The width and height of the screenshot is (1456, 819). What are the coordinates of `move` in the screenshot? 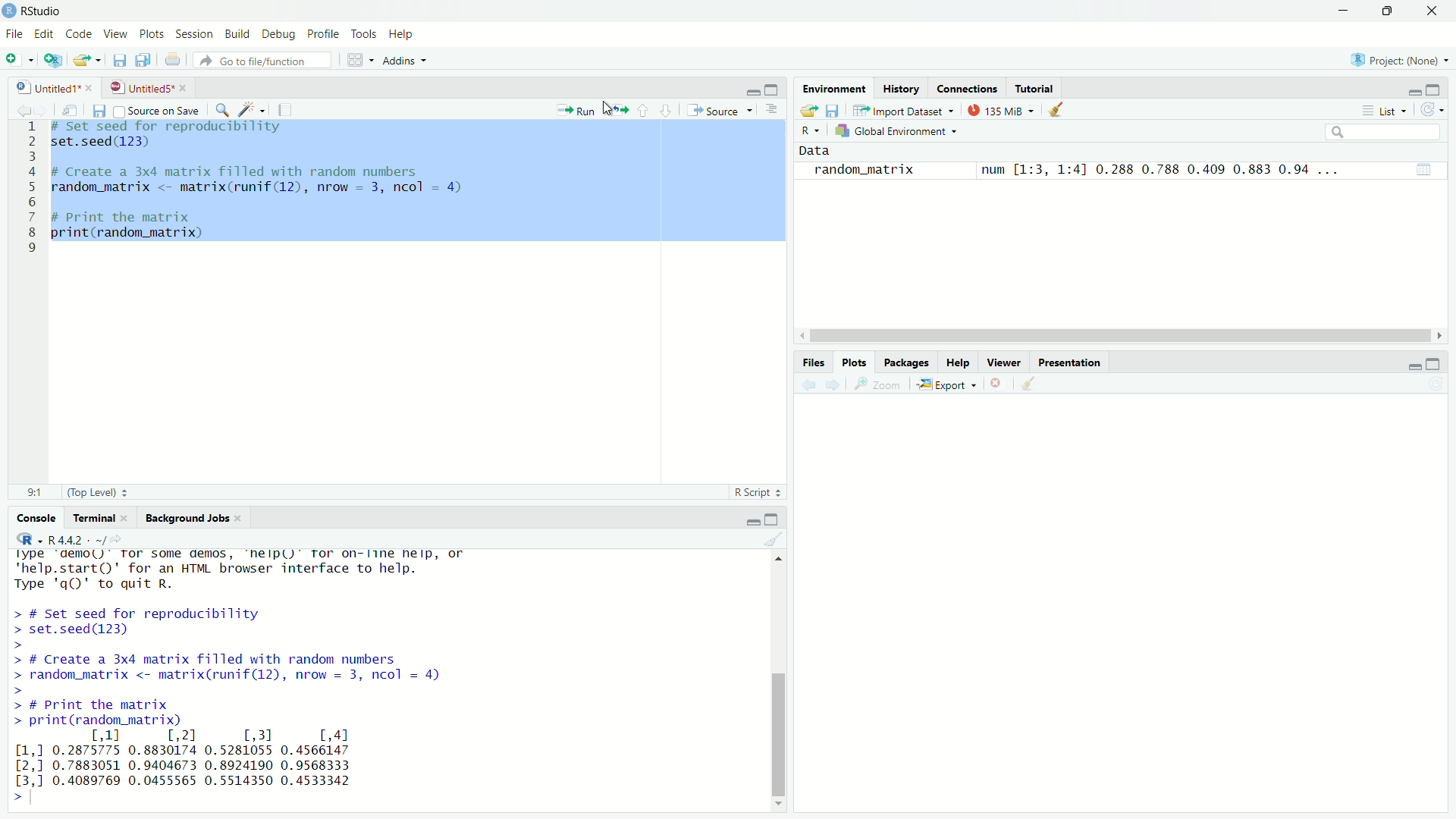 It's located at (621, 108).